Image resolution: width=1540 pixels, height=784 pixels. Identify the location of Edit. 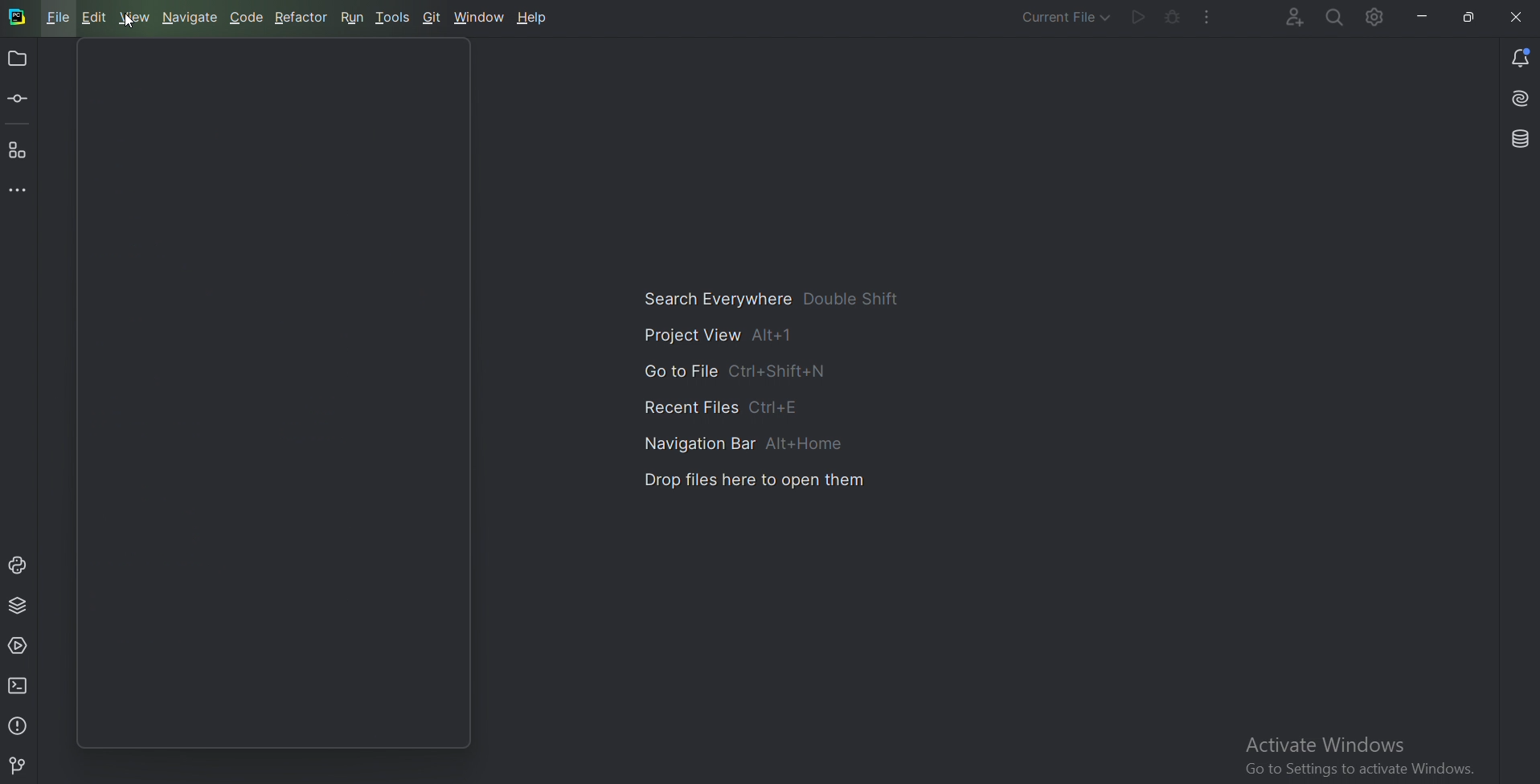
(94, 17).